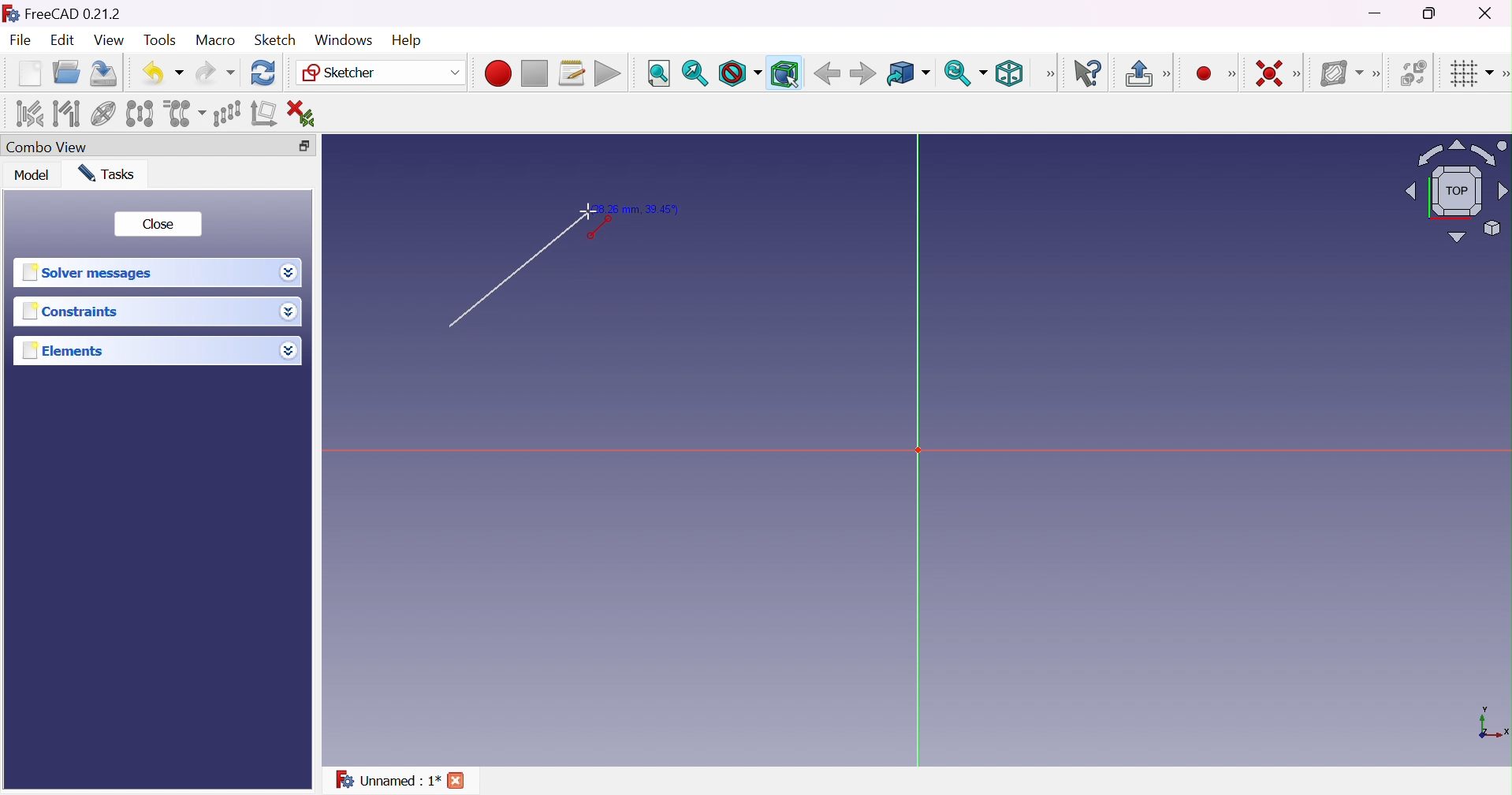 The height and width of the screenshot is (795, 1512). What do you see at coordinates (28, 114) in the screenshot?
I see `Select associated constraints` at bounding box center [28, 114].